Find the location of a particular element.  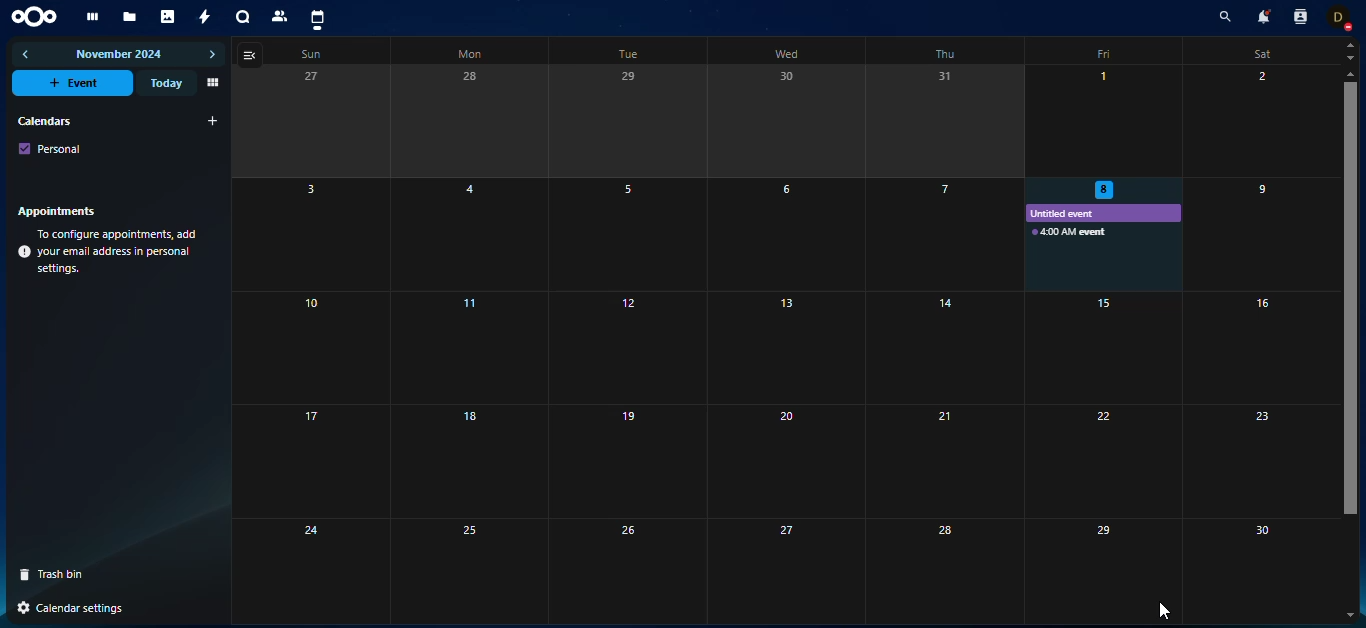

26 is located at coordinates (624, 568).